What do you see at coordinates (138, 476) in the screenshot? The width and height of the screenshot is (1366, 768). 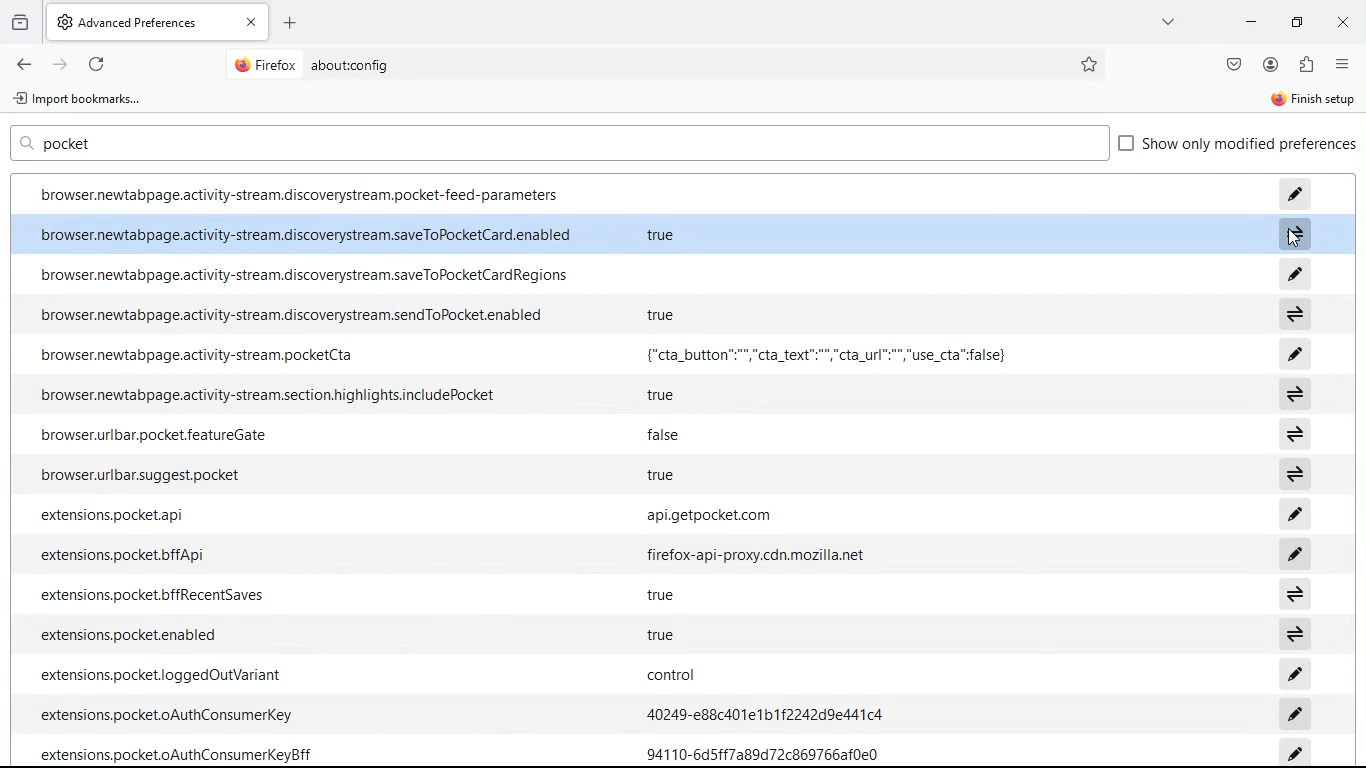 I see `browser.urlbar.suggest.pocket` at bounding box center [138, 476].